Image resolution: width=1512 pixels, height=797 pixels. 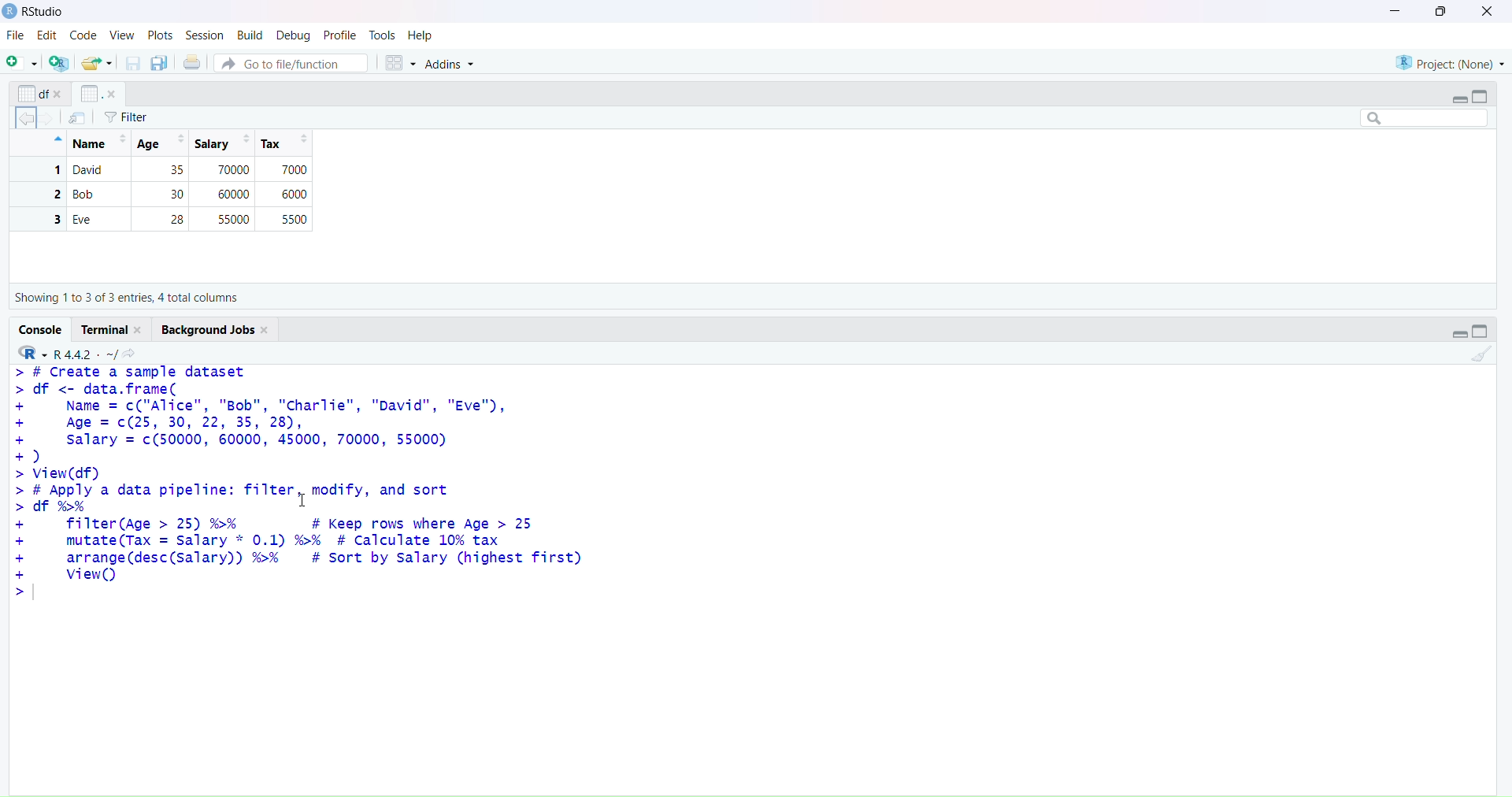 What do you see at coordinates (306, 499) in the screenshot?
I see `cursor` at bounding box center [306, 499].